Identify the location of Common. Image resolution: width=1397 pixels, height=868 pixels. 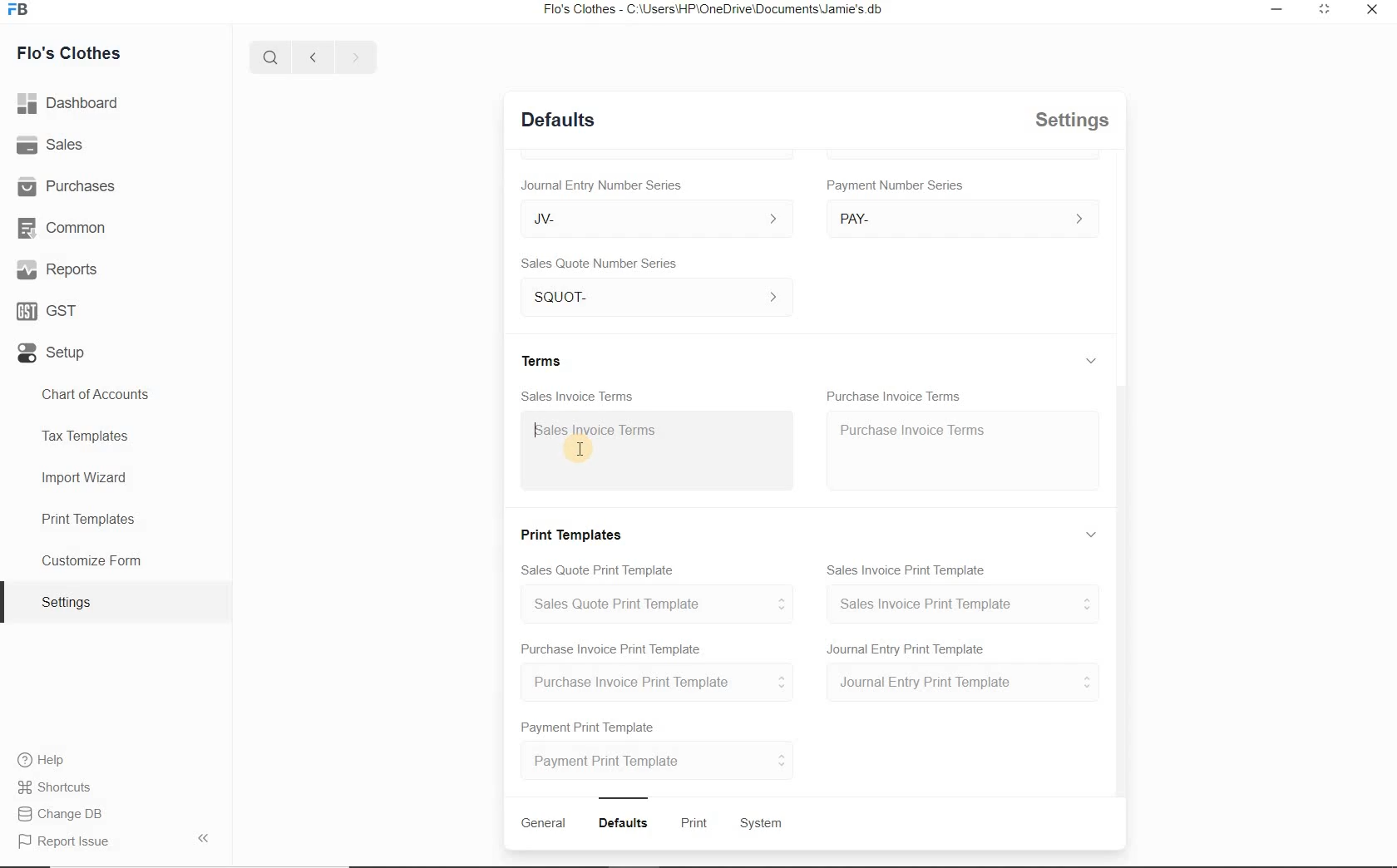
(66, 229).